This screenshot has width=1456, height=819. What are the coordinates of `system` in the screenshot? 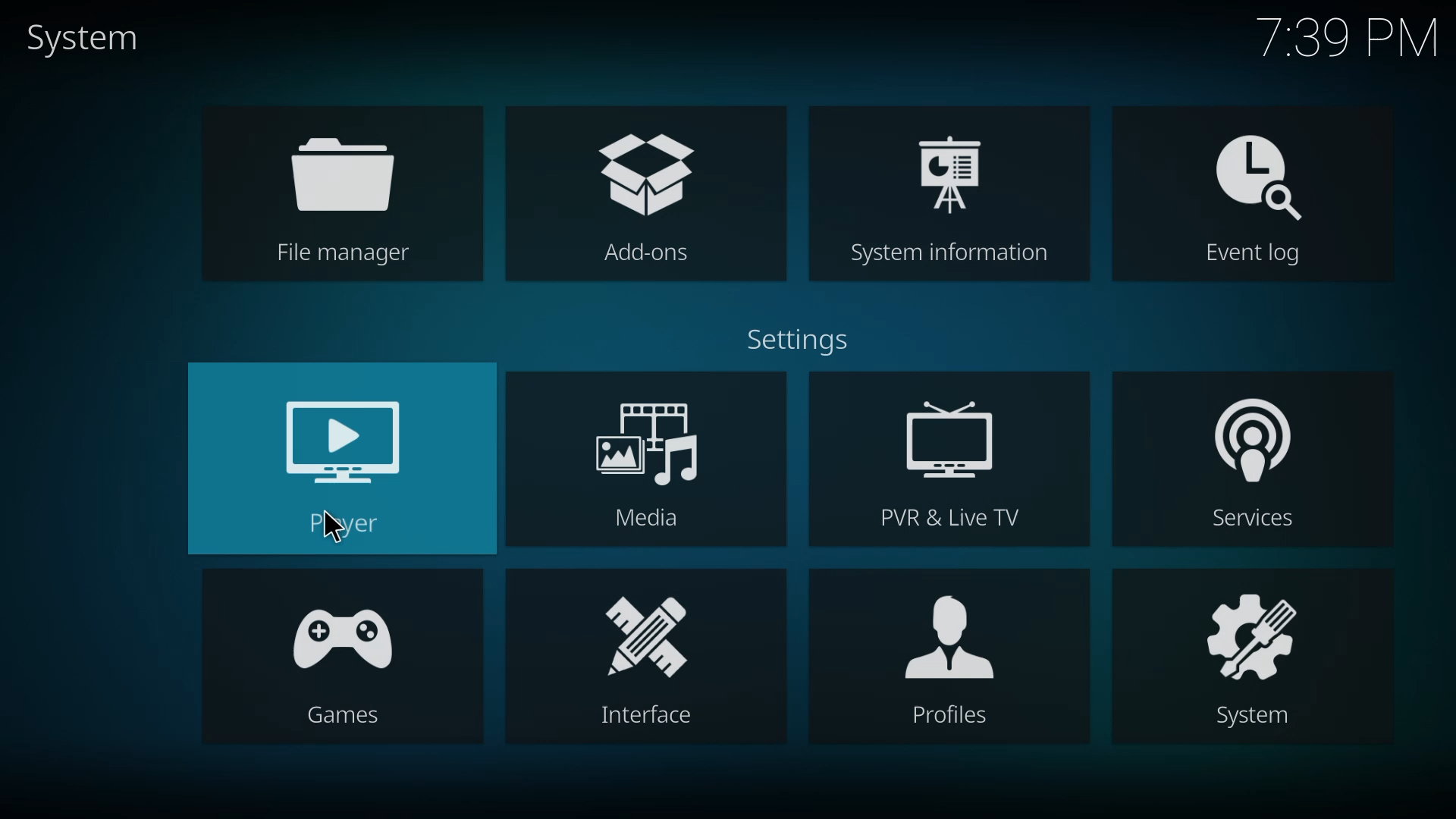 It's located at (80, 37).